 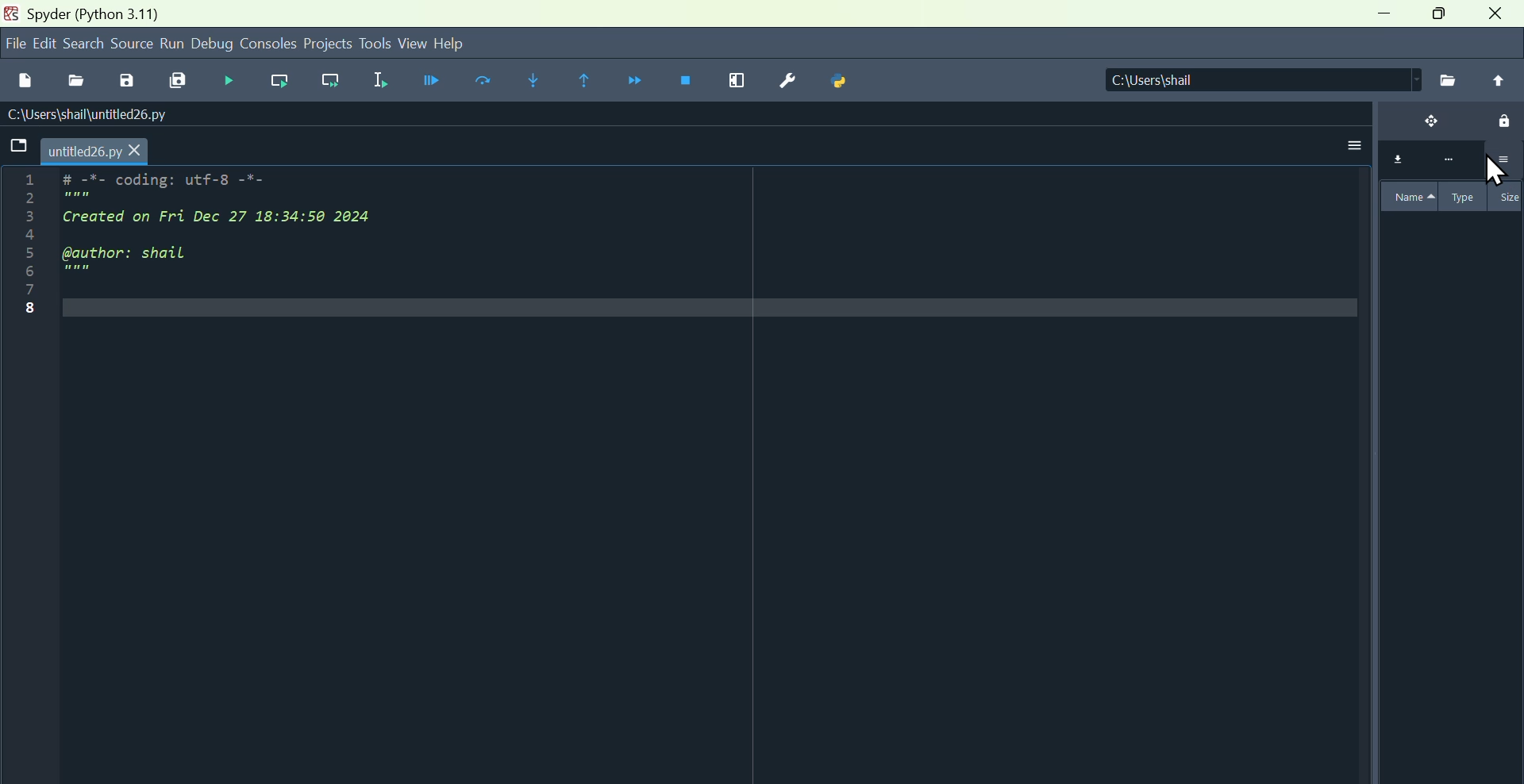 What do you see at coordinates (689, 83) in the screenshot?
I see `Stop debugging` at bounding box center [689, 83].